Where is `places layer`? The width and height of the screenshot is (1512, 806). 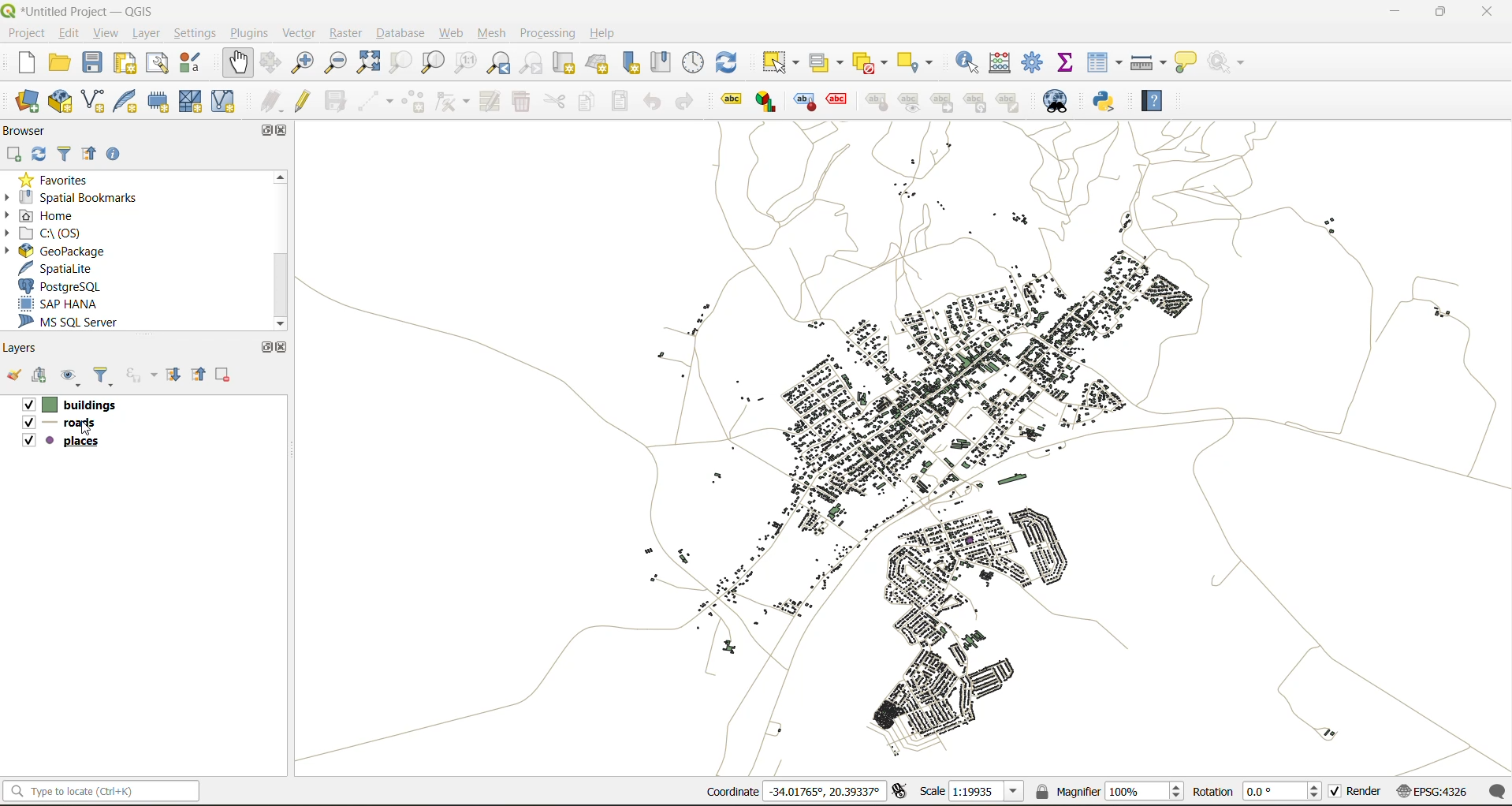
places layer is located at coordinates (75, 444).